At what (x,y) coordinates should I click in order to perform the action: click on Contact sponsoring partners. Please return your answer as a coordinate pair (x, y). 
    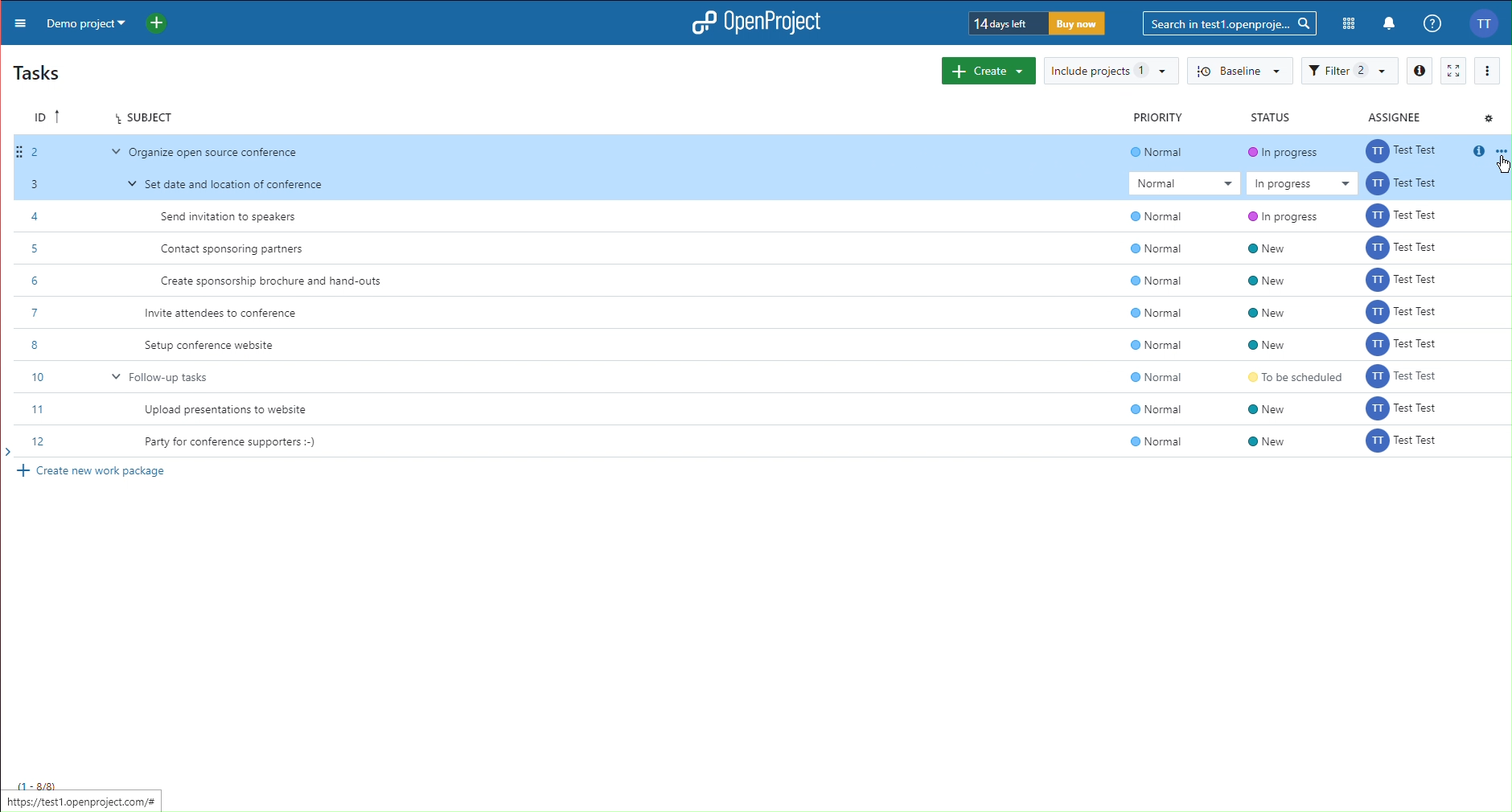
    Looking at the image, I should click on (234, 249).